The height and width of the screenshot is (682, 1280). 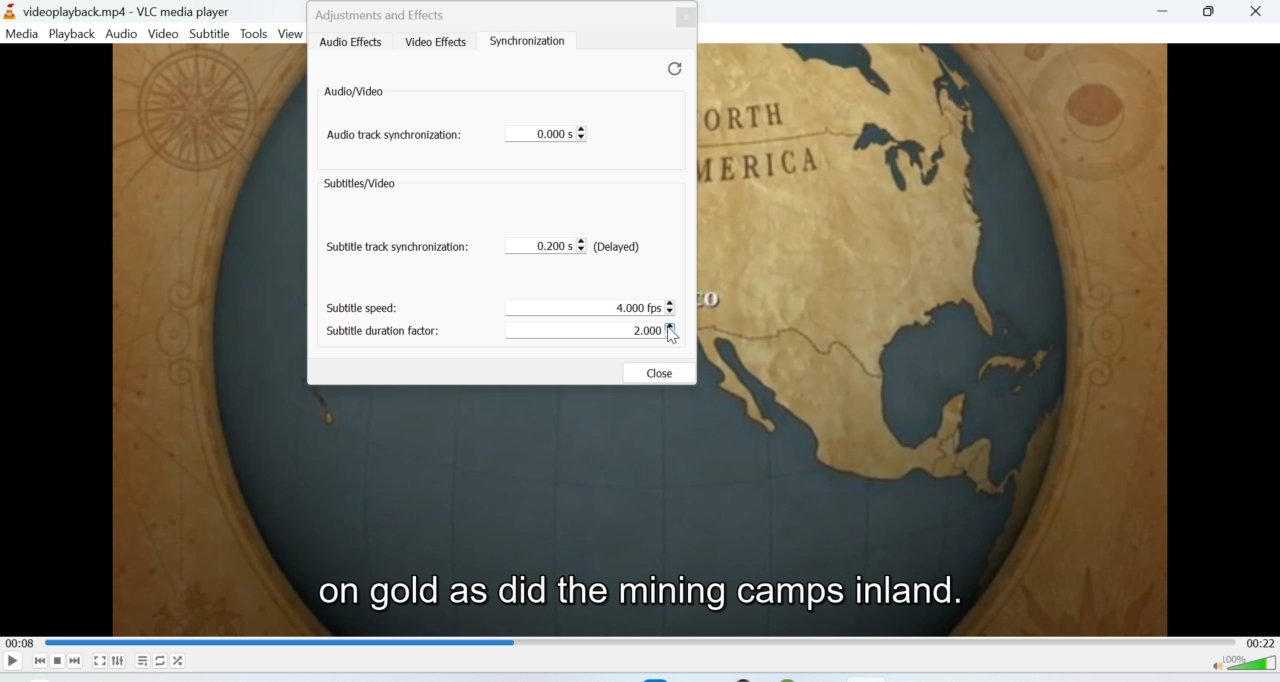 I want to click on Seek forward, so click(x=76, y=661).